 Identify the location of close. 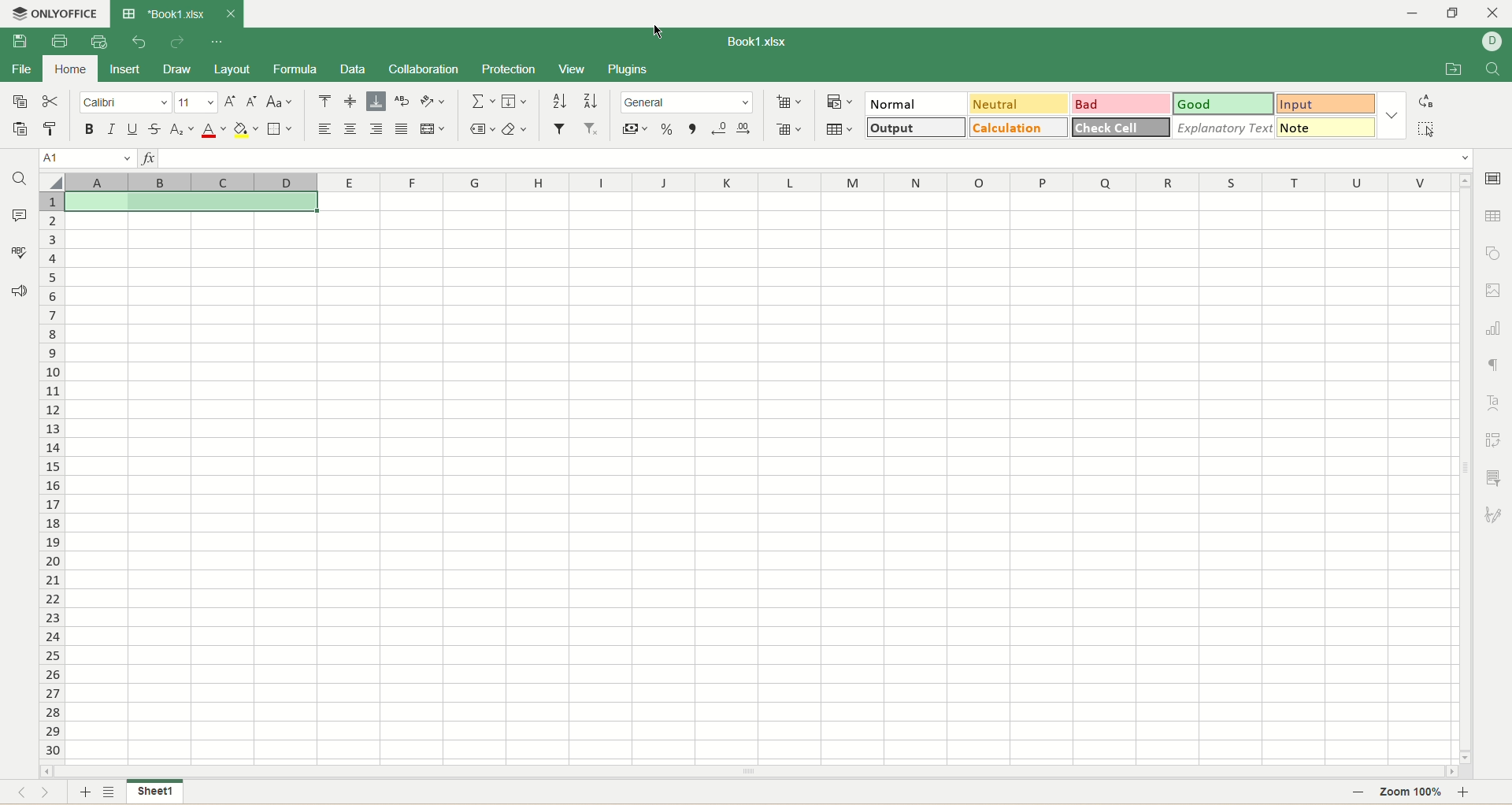
(1495, 12).